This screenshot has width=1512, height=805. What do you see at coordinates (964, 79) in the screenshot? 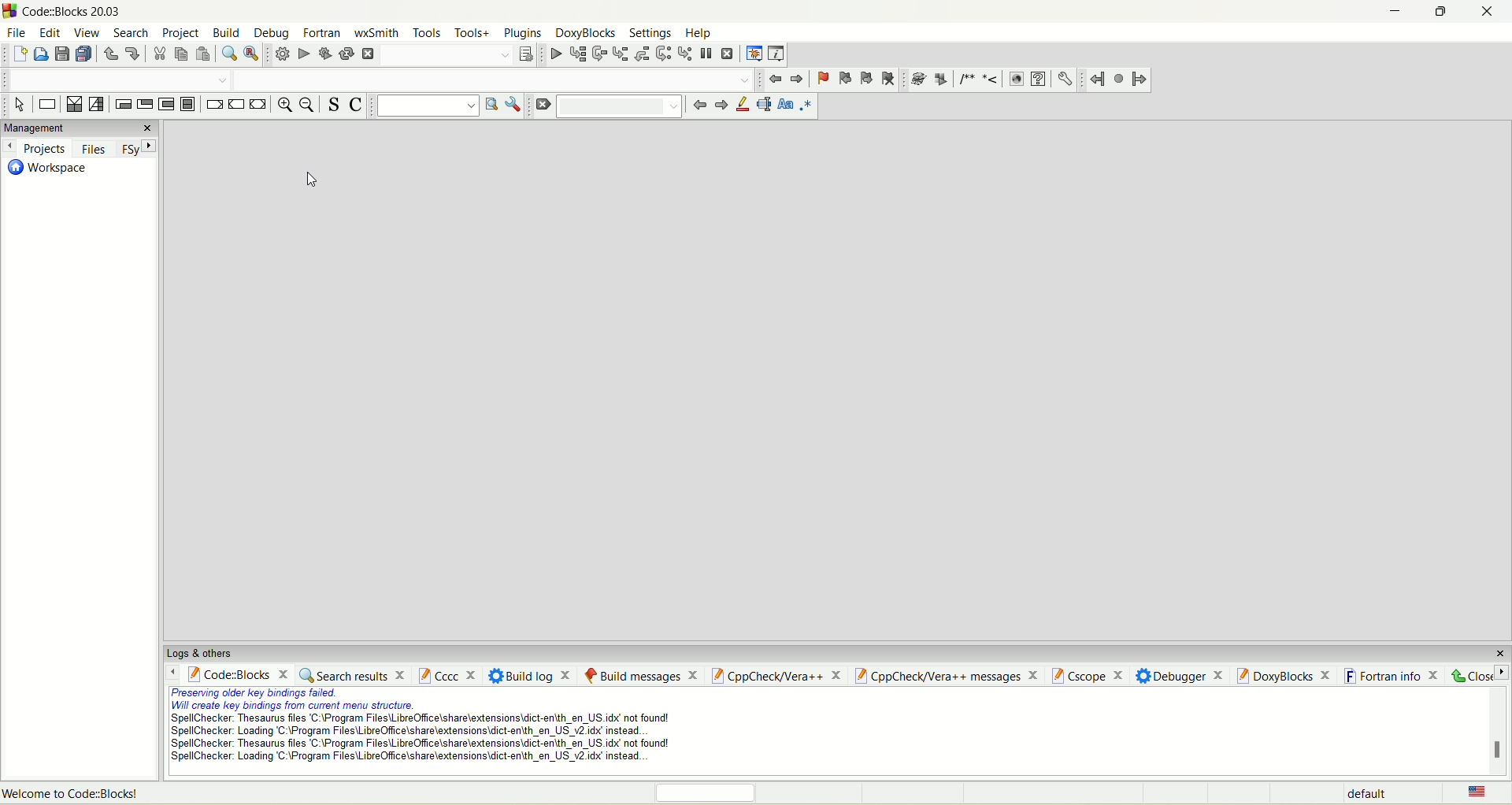
I see `Insert comment block` at bounding box center [964, 79].